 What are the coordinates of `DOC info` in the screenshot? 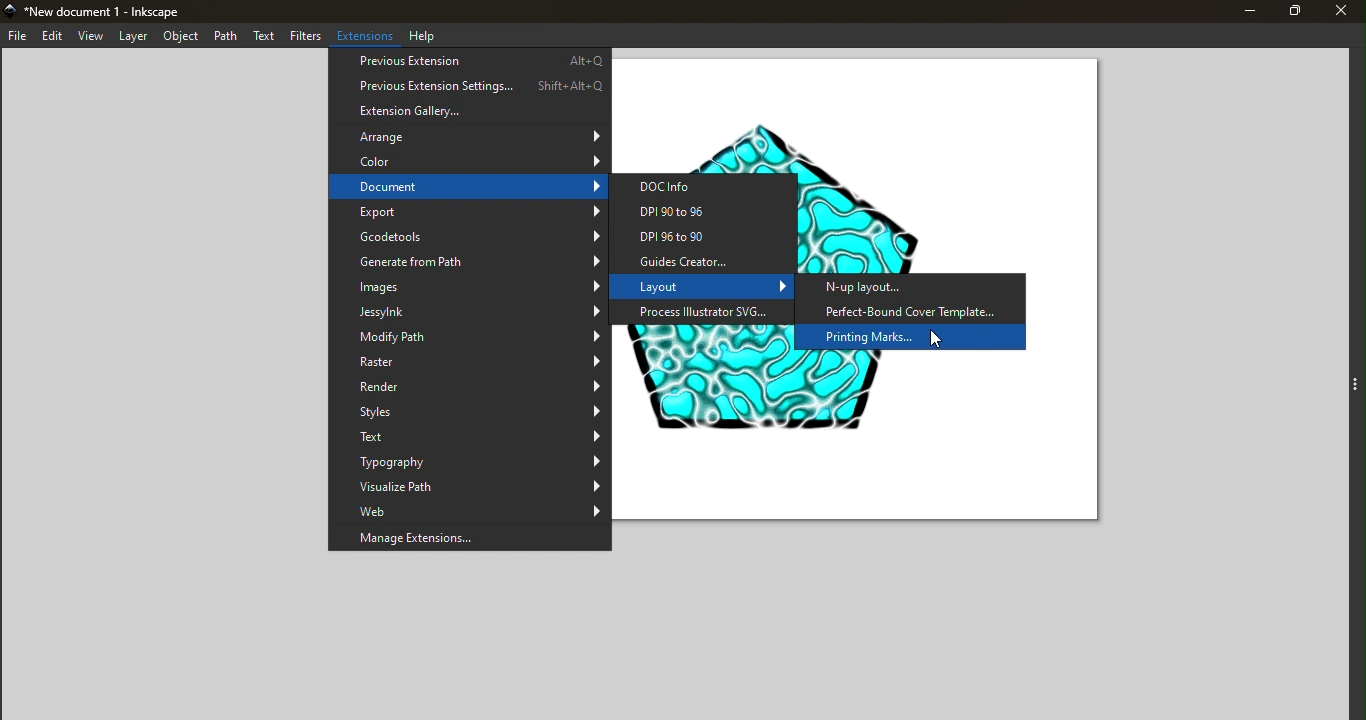 It's located at (709, 186).